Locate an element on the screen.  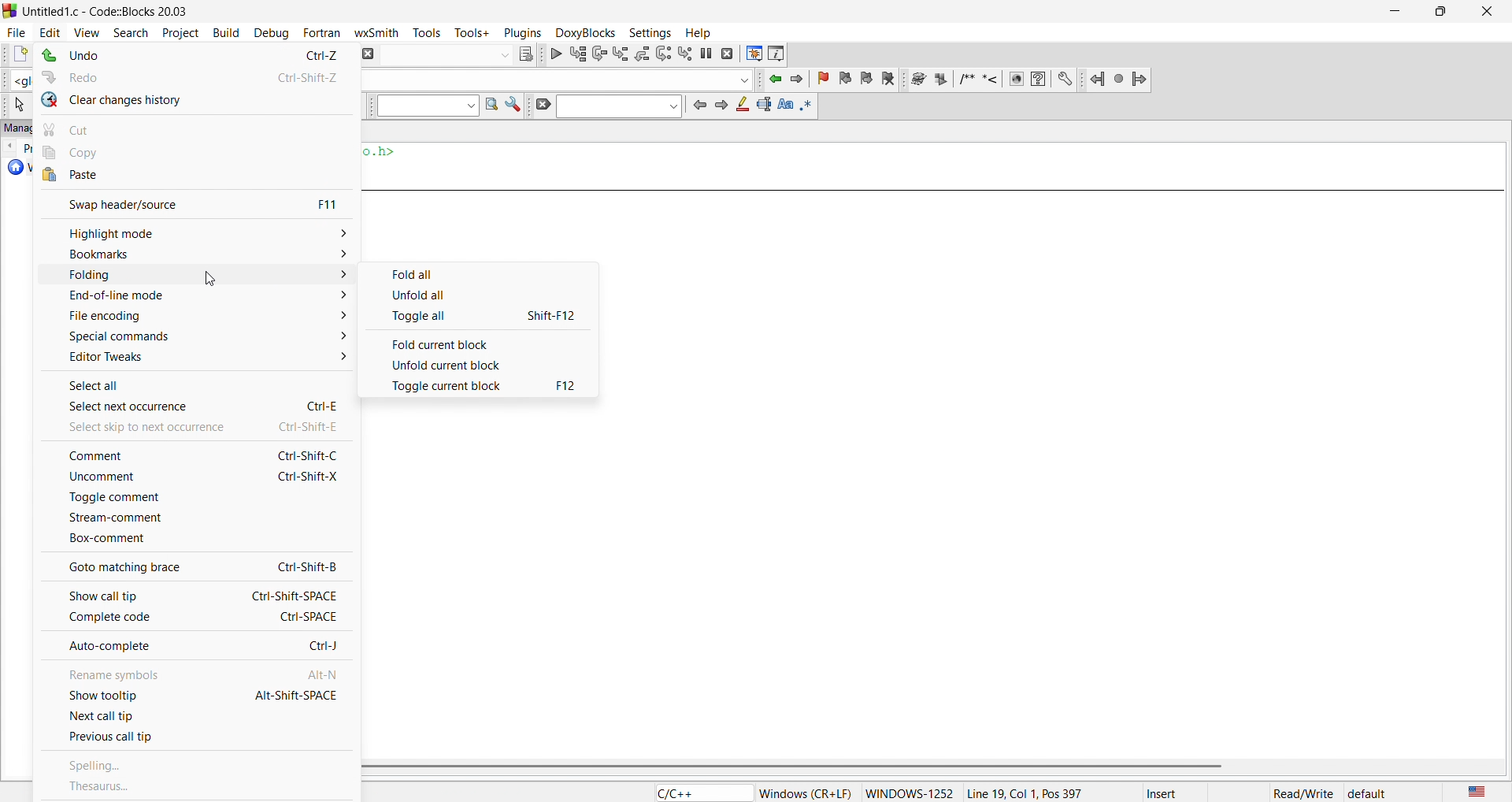
project is located at coordinates (177, 31).